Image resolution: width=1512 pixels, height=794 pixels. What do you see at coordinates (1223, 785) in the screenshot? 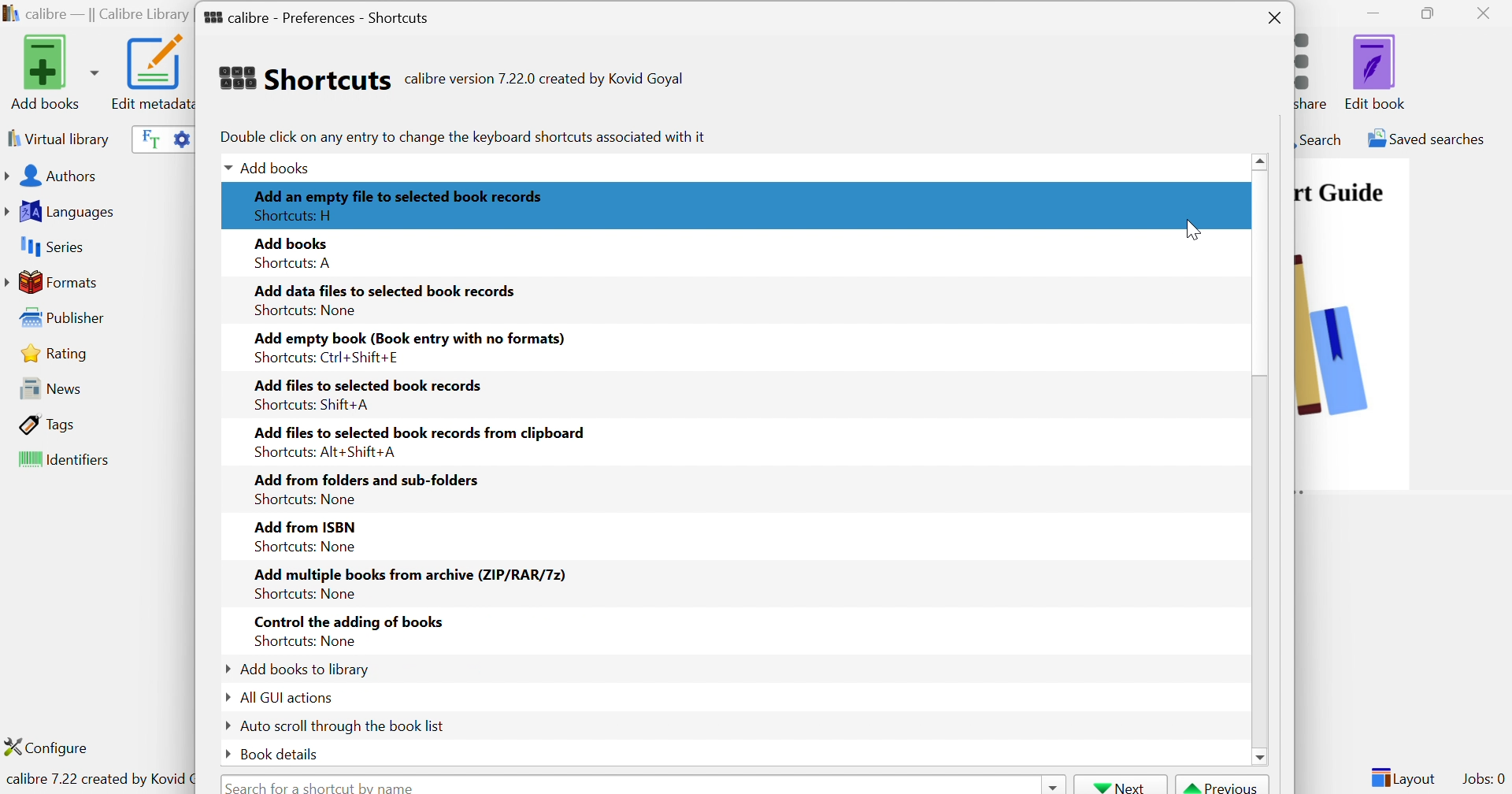
I see `Previous` at bounding box center [1223, 785].